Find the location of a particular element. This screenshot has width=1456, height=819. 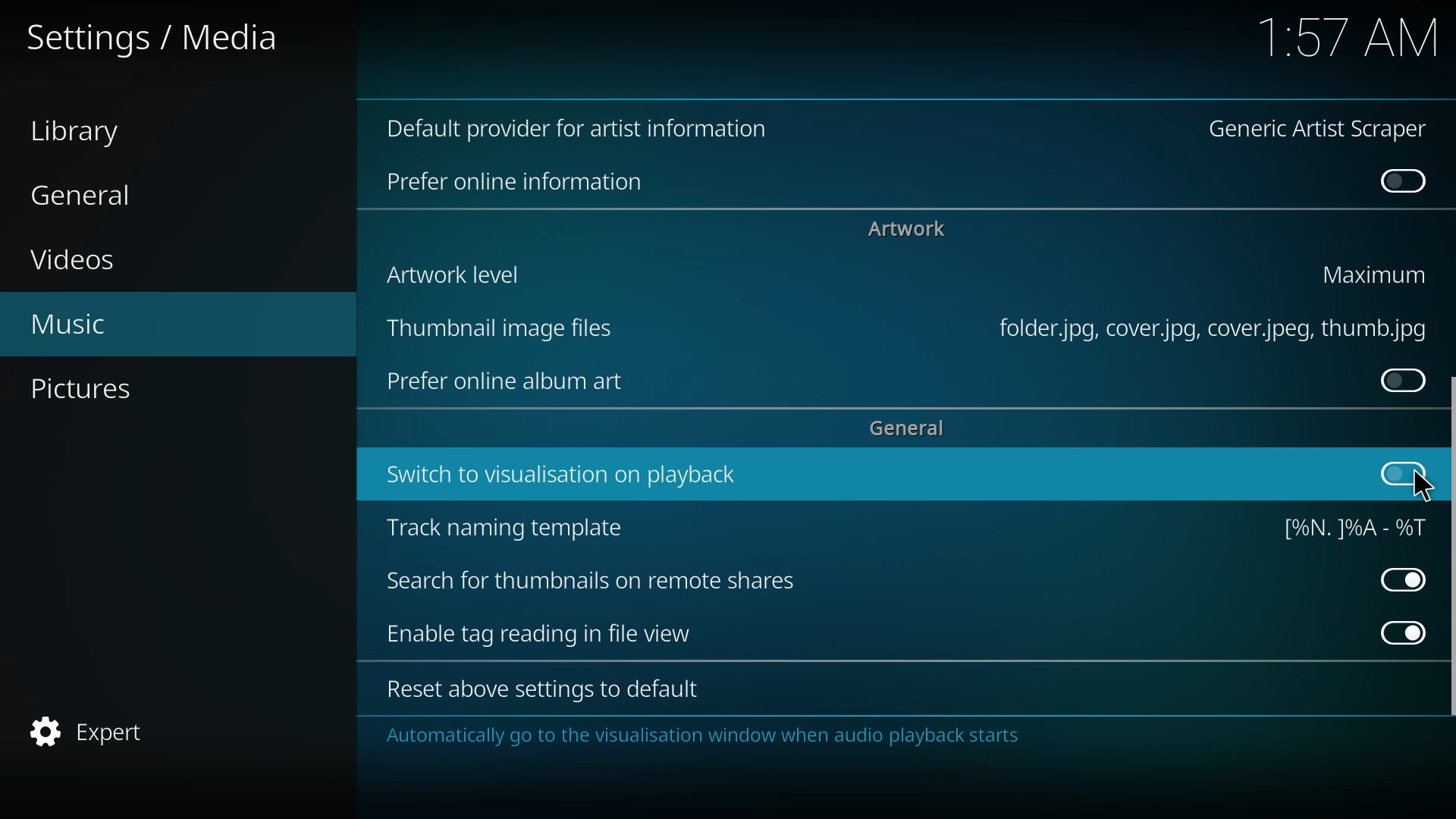

prefer online art is located at coordinates (503, 383).